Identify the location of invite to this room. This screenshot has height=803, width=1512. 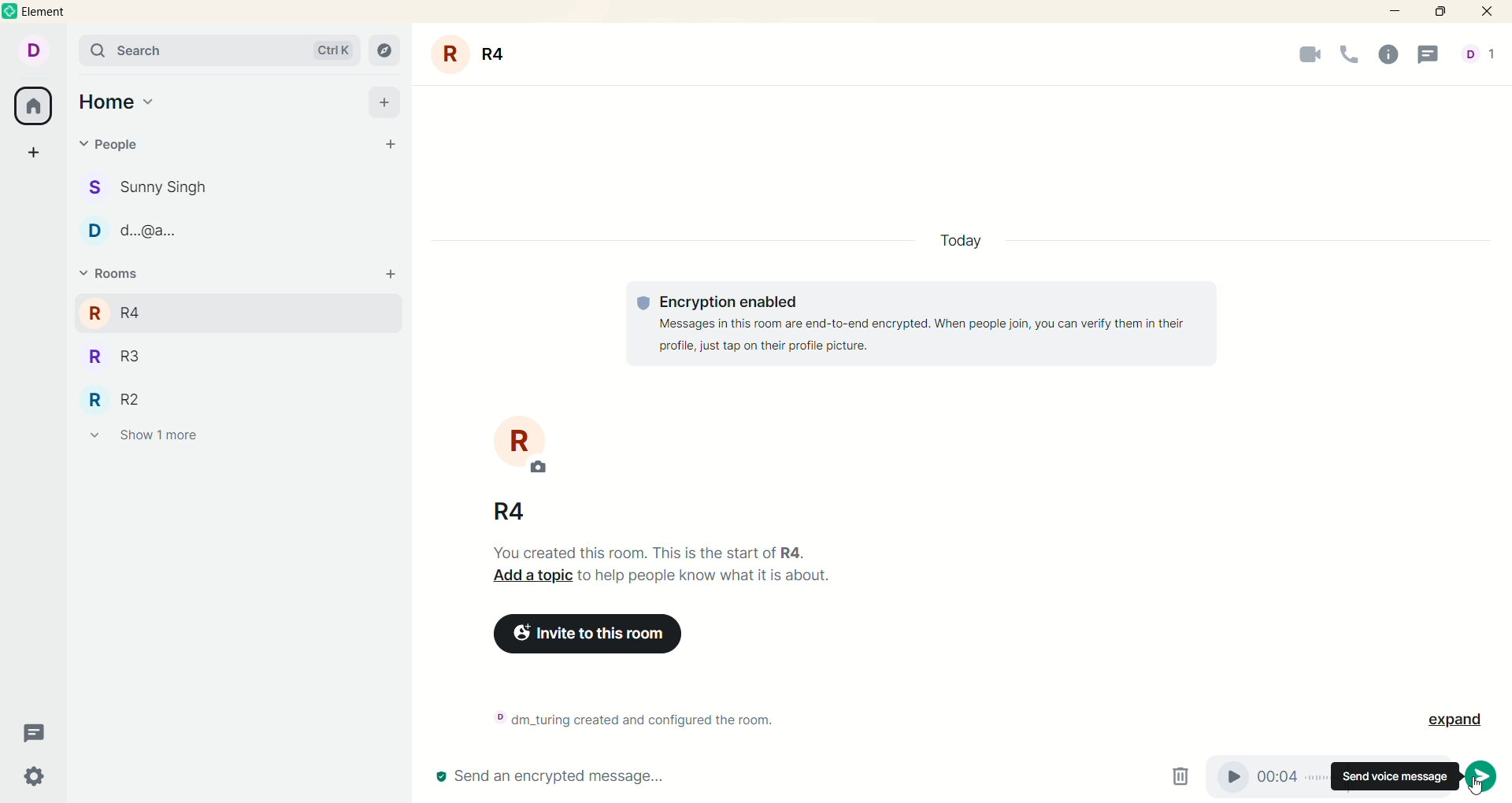
(613, 637).